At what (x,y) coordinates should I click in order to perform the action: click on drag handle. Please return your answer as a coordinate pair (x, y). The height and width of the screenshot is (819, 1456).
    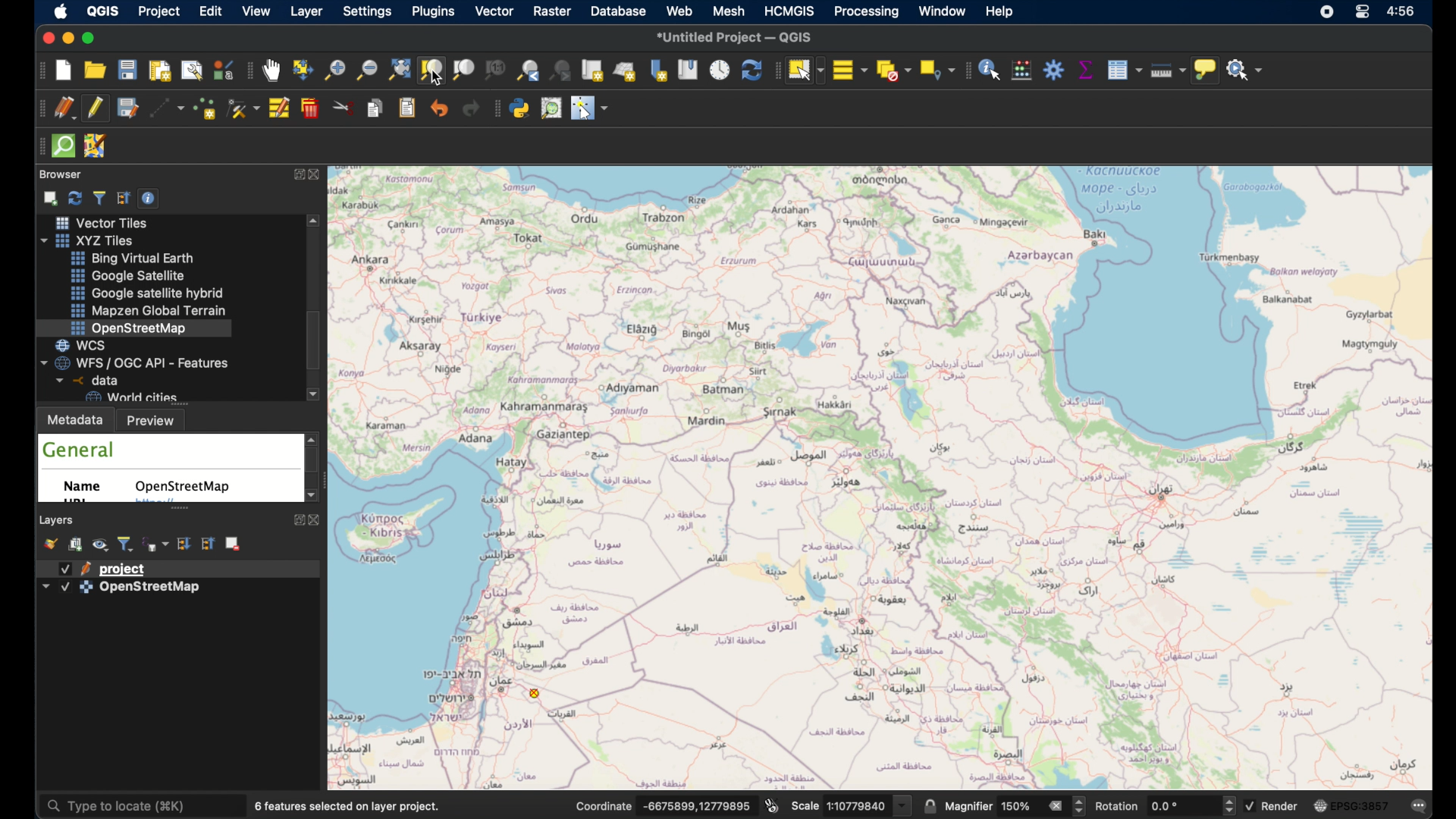
    Looking at the image, I should click on (775, 70).